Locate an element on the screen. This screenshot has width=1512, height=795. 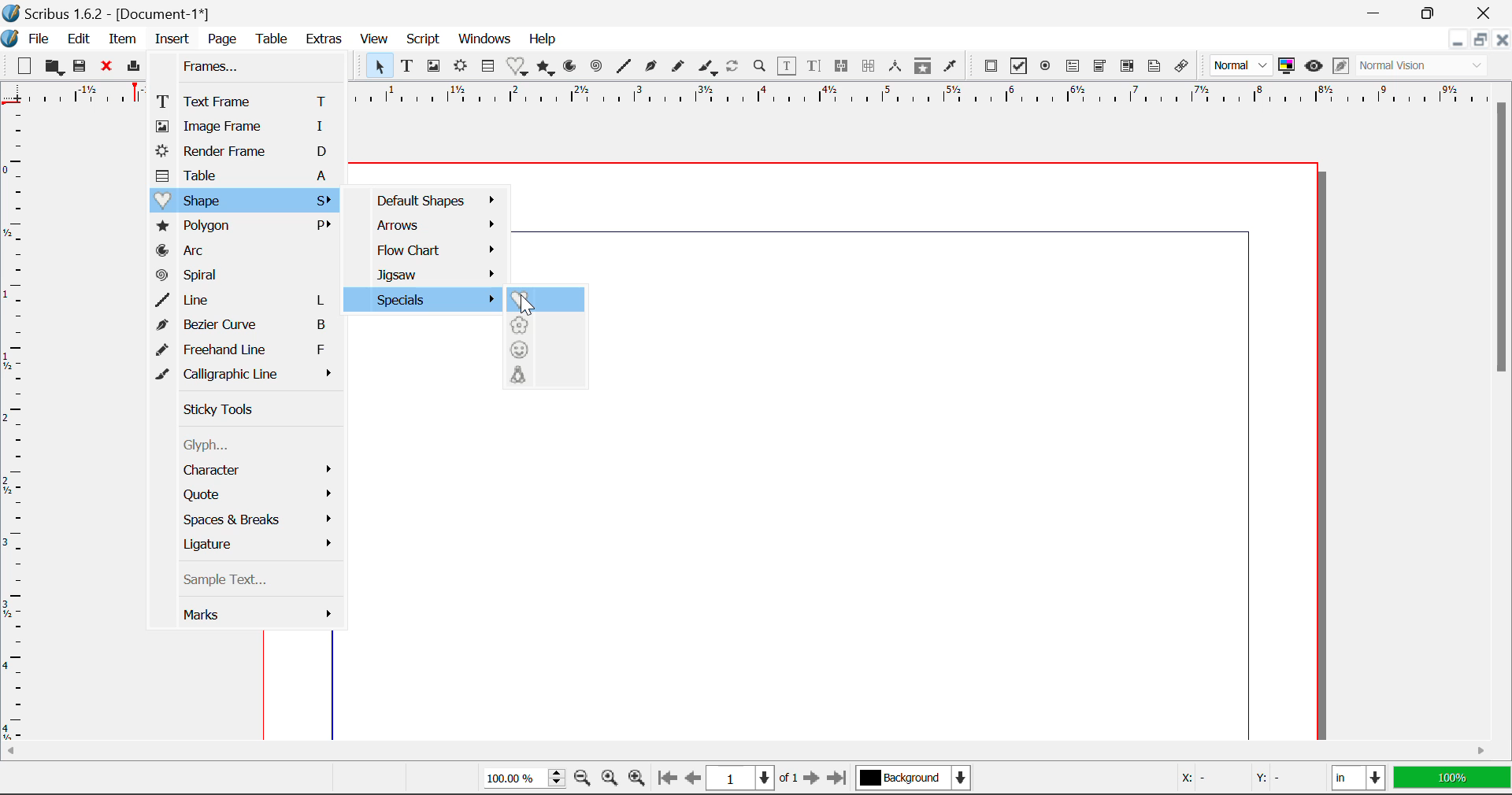
Measurements is located at coordinates (897, 67).